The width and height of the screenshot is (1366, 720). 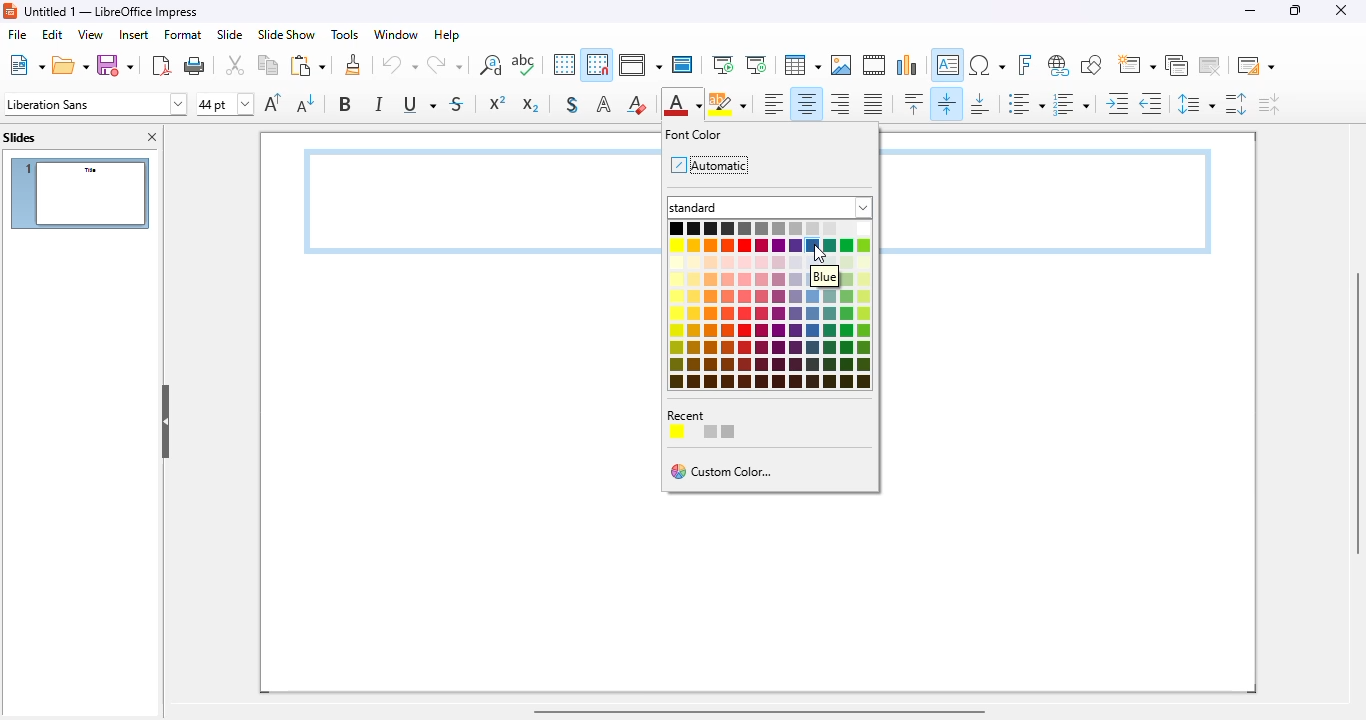 I want to click on toggle unordered list, so click(x=1026, y=104).